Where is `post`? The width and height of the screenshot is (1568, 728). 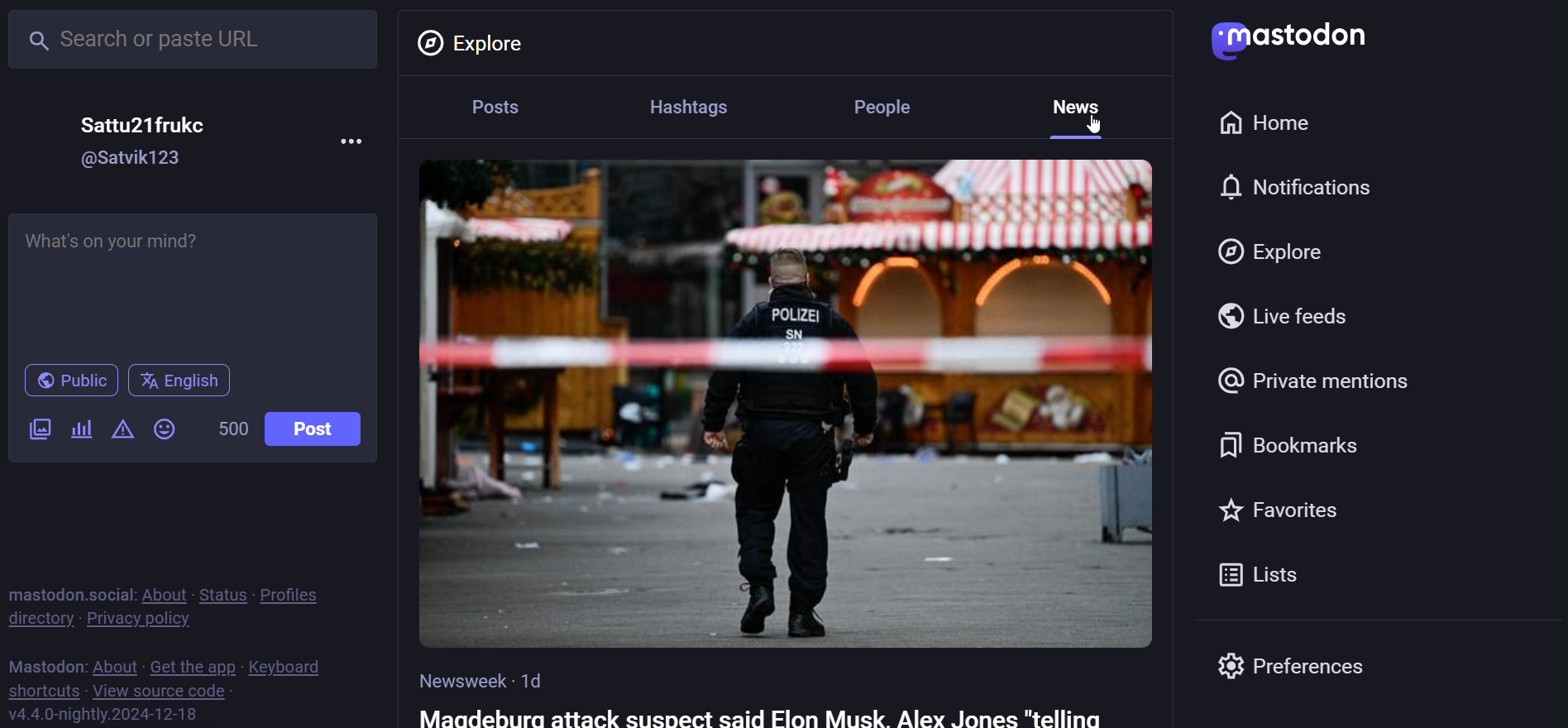 post is located at coordinates (317, 430).